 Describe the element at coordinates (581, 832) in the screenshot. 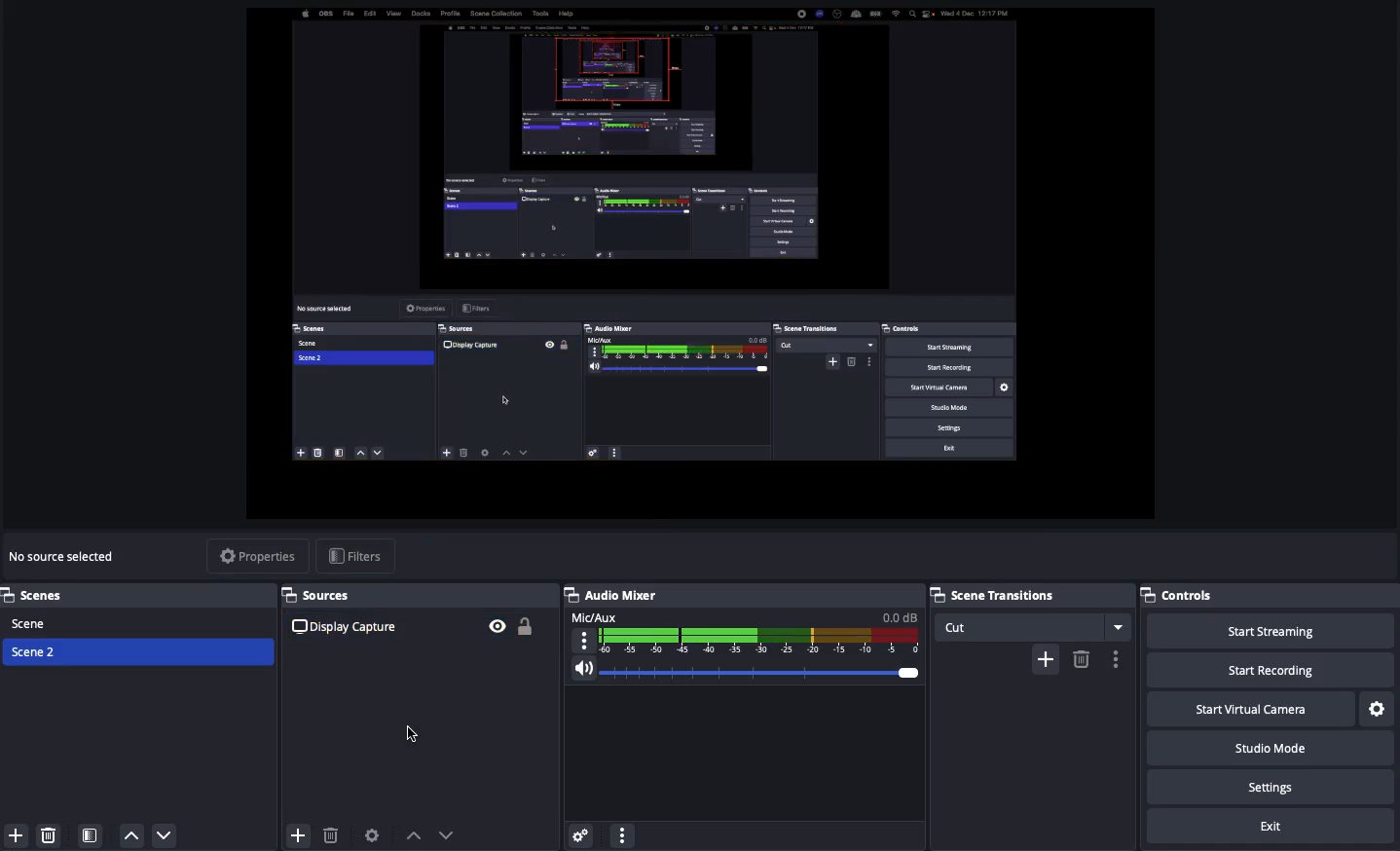

I see `Advanced audio properties` at that location.